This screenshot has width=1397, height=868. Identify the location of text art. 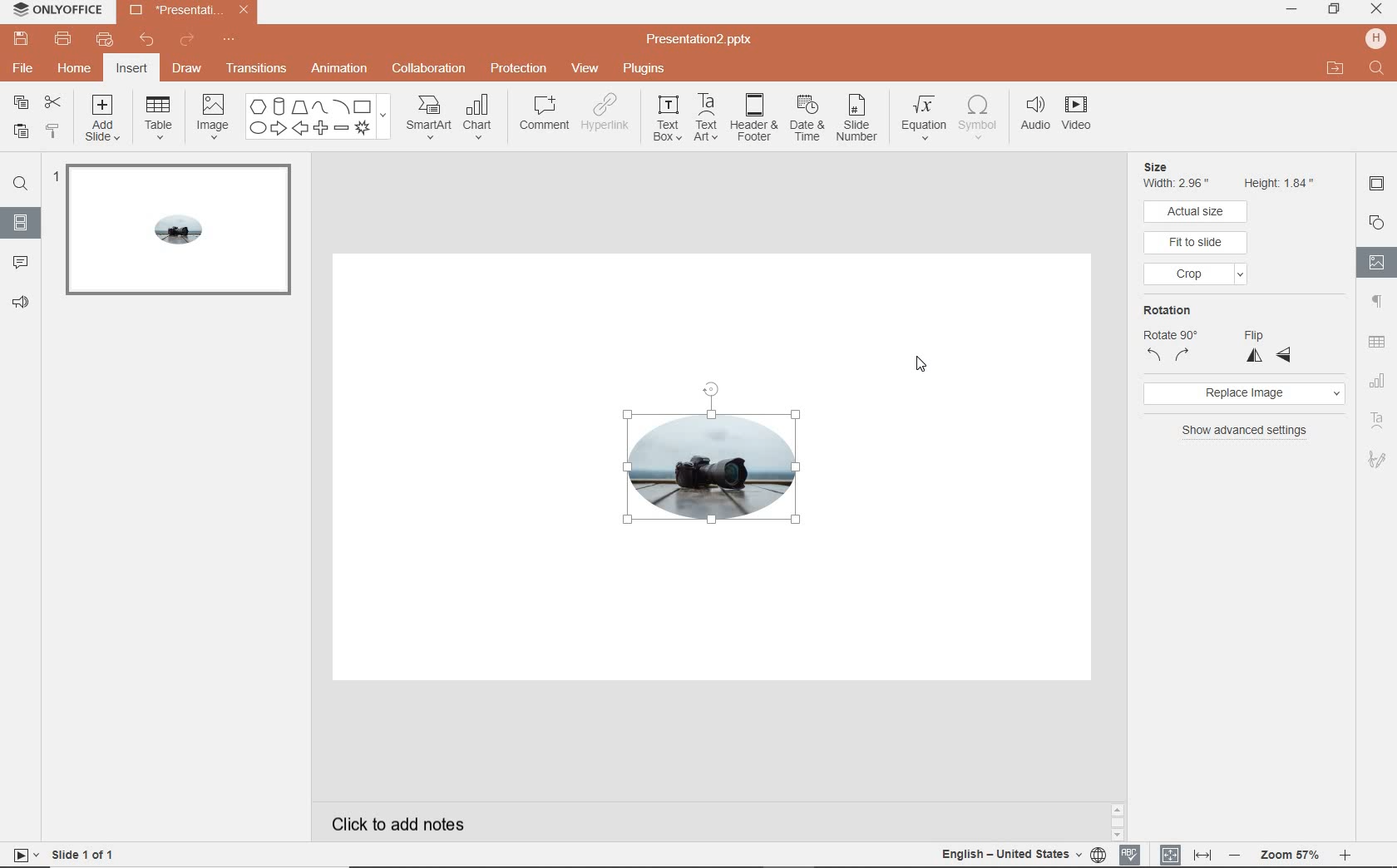
(706, 120).